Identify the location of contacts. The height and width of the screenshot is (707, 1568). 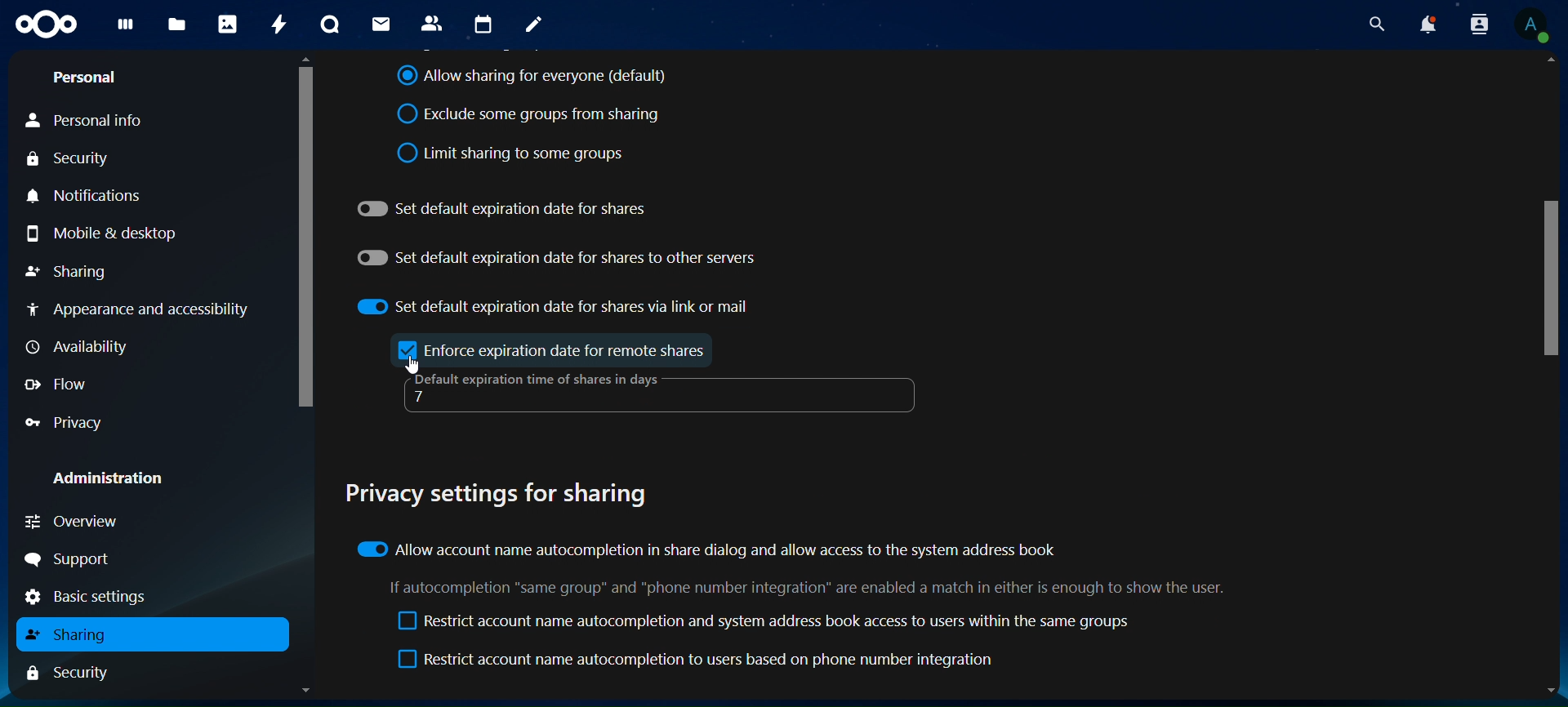
(431, 23).